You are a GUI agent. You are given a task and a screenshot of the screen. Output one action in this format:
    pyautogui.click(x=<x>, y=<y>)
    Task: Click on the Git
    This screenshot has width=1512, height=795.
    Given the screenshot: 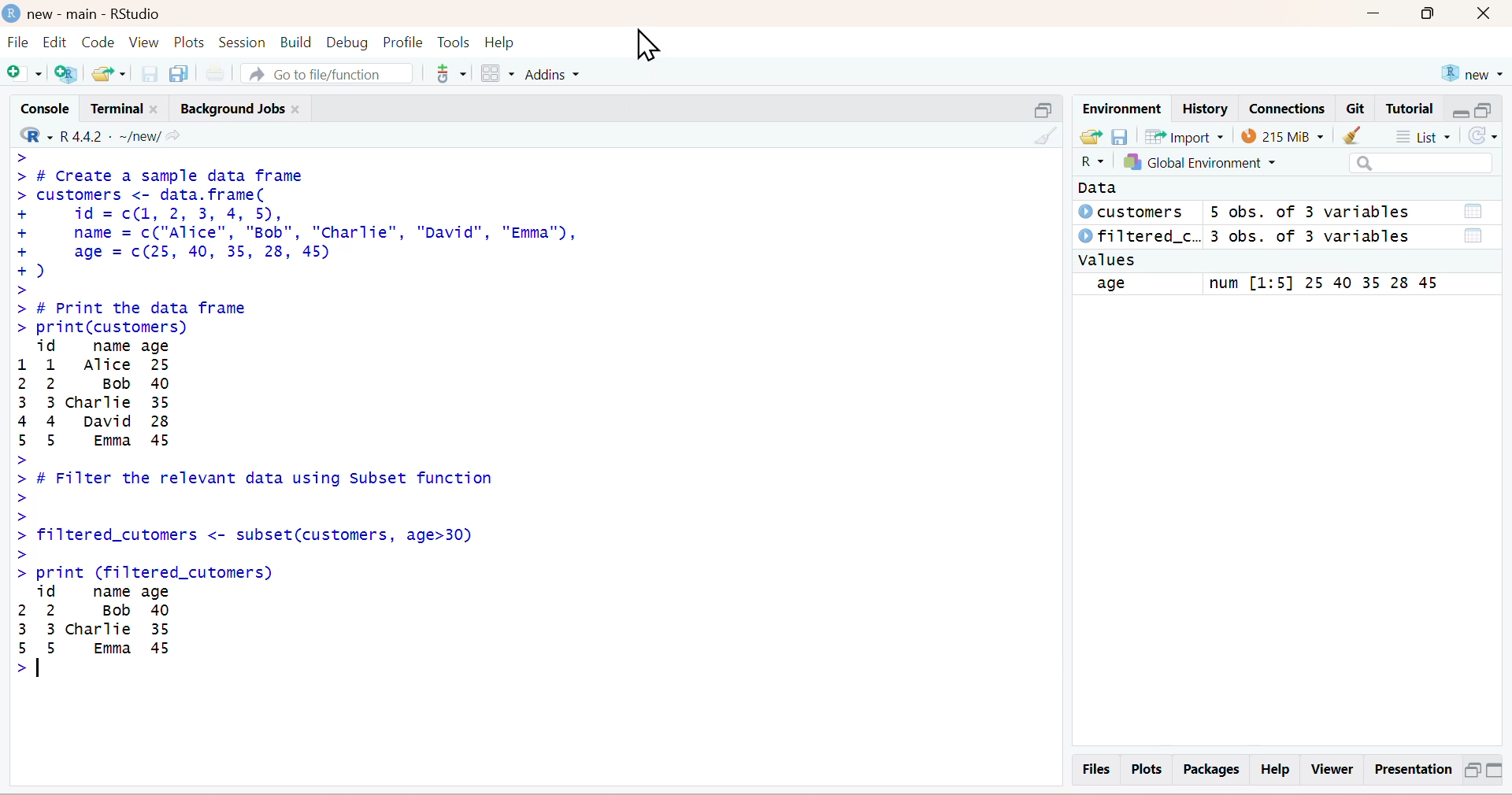 What is the action you would take?
    pyautogui.click(x=1357, y=109)
    